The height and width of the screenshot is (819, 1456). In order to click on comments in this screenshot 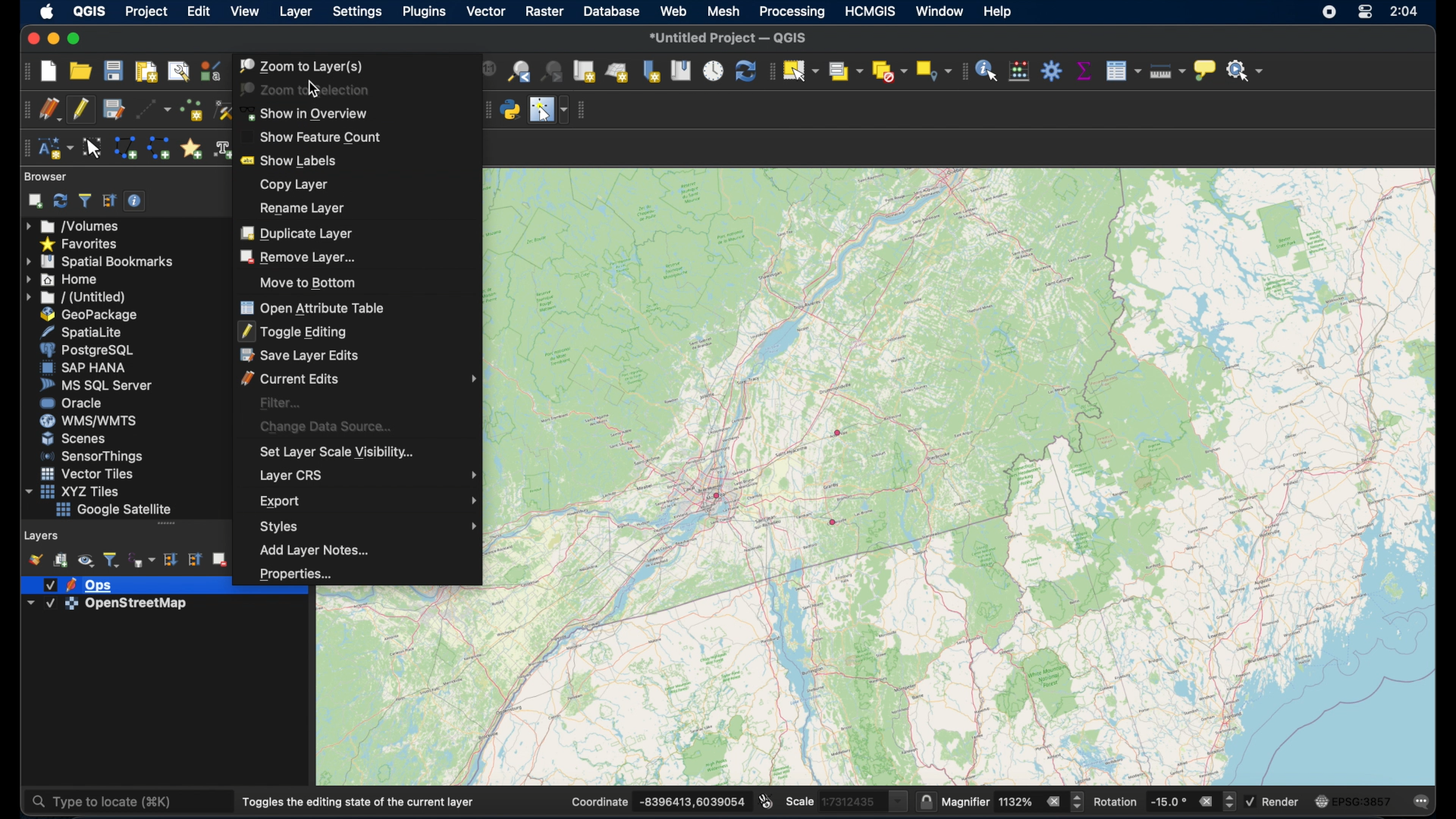, I will do `click(1423, 803)`.